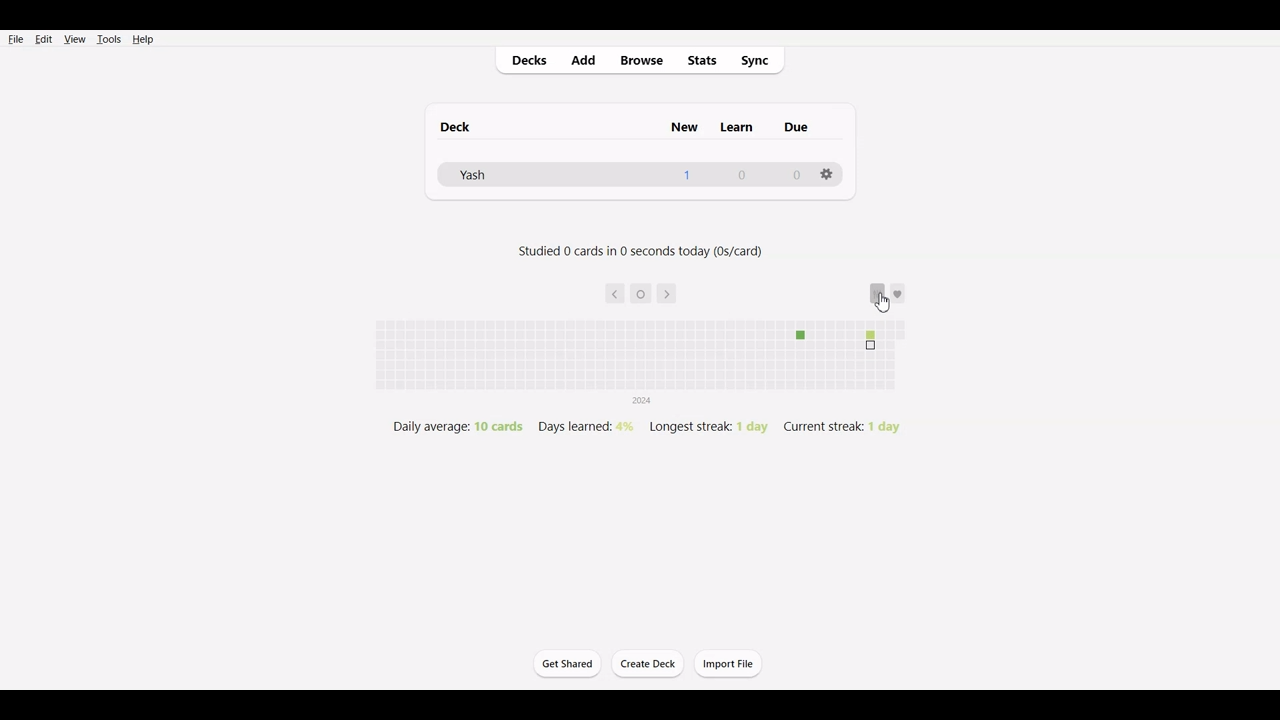  What do you see at coordinates (900, 293) in the screenshot?
I see `Support add-on` at bounding box center [900, 293].